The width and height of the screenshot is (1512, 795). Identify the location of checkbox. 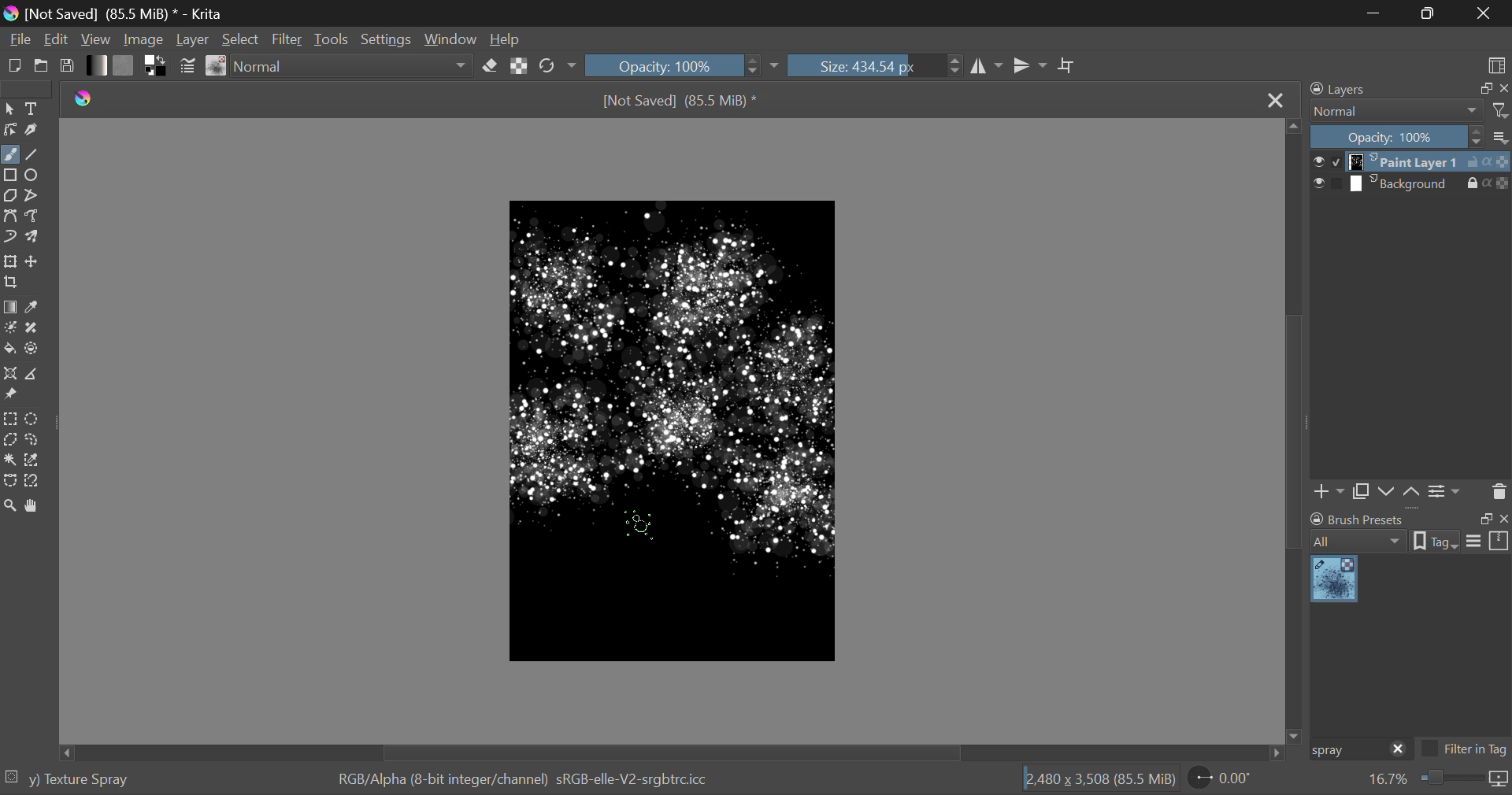
(1327, 184).